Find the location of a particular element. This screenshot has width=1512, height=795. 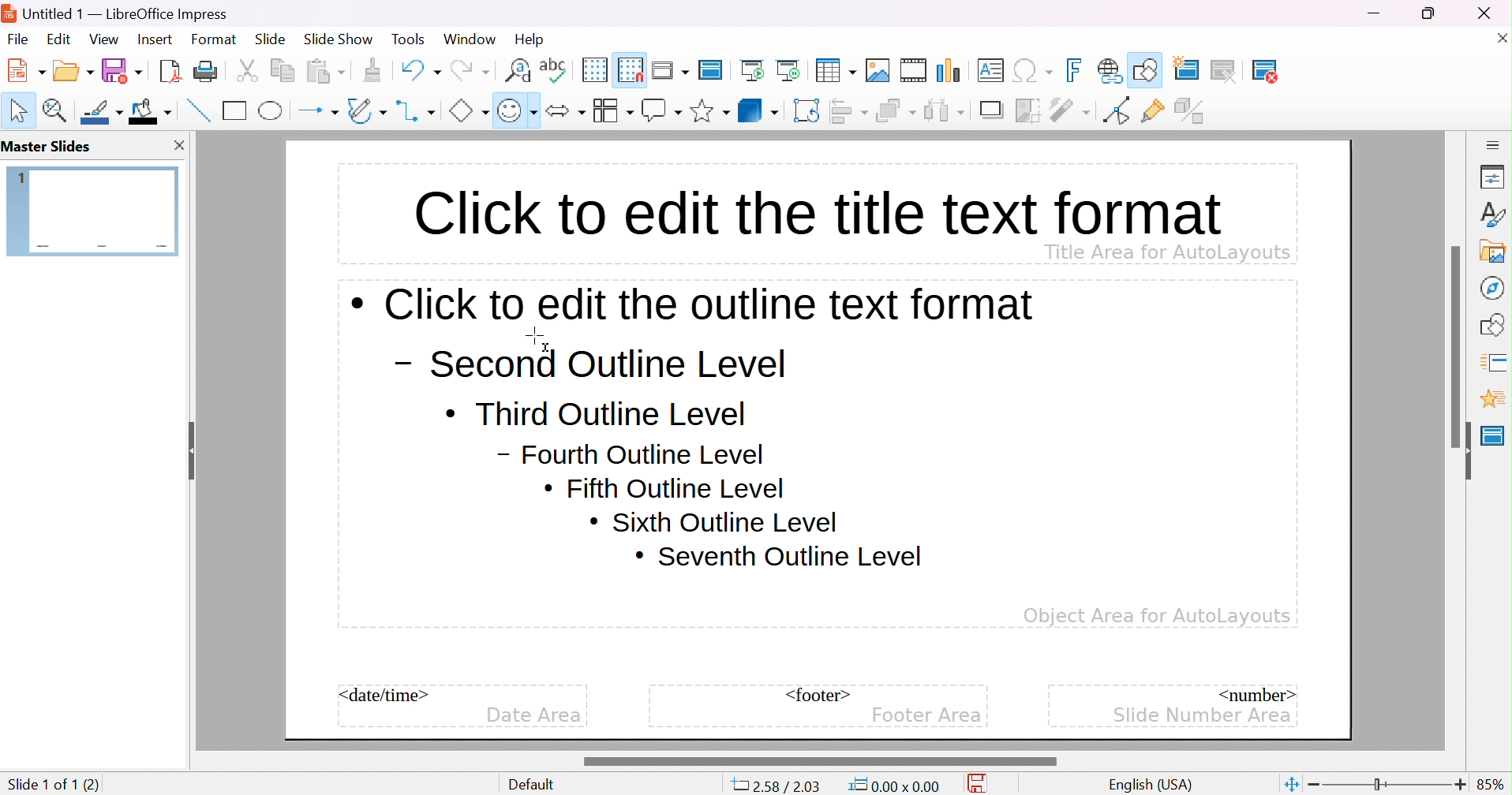

close is located at coordinates (178, 145).